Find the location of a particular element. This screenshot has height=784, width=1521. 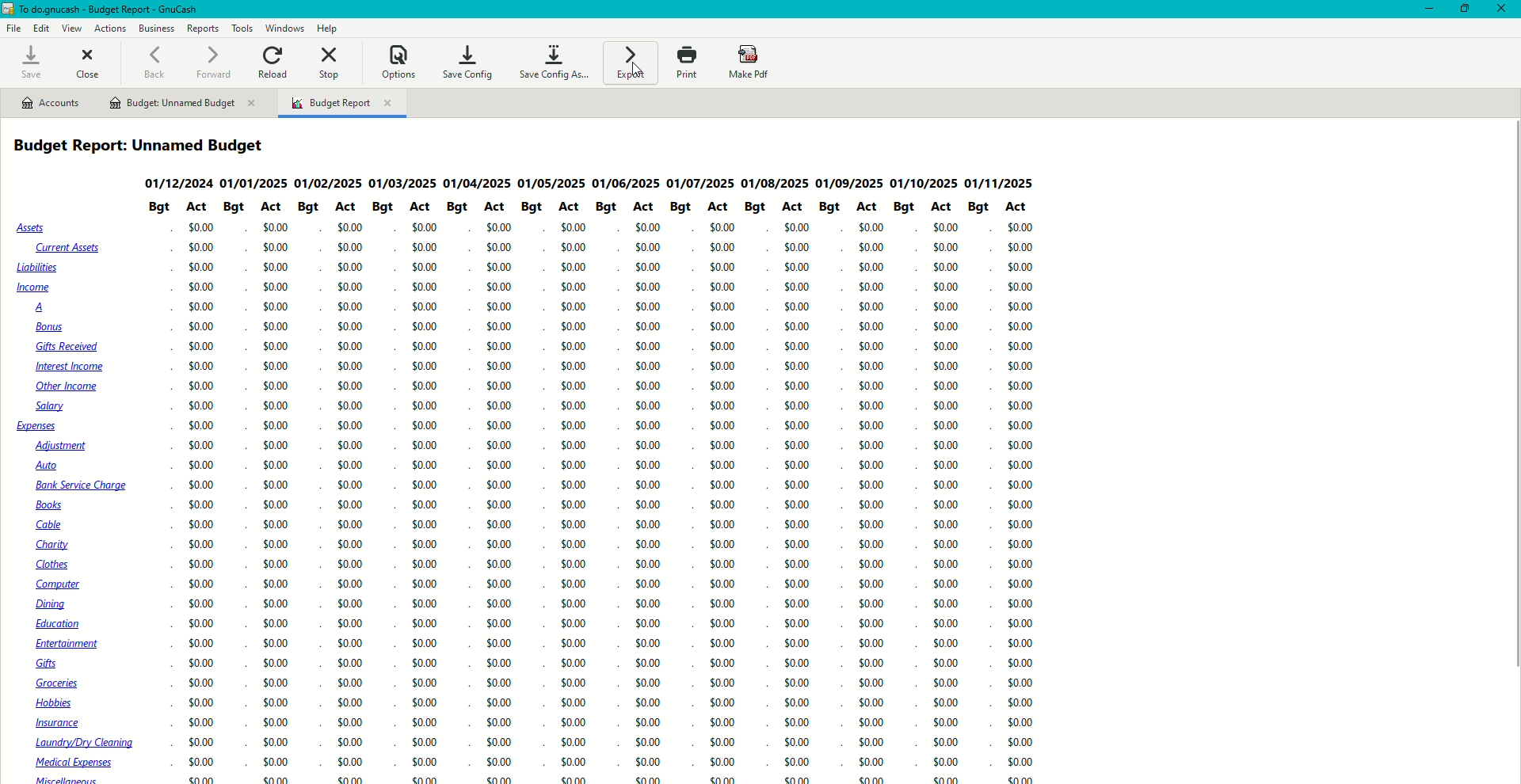

Save Config As is located at coordinates (556, 63).